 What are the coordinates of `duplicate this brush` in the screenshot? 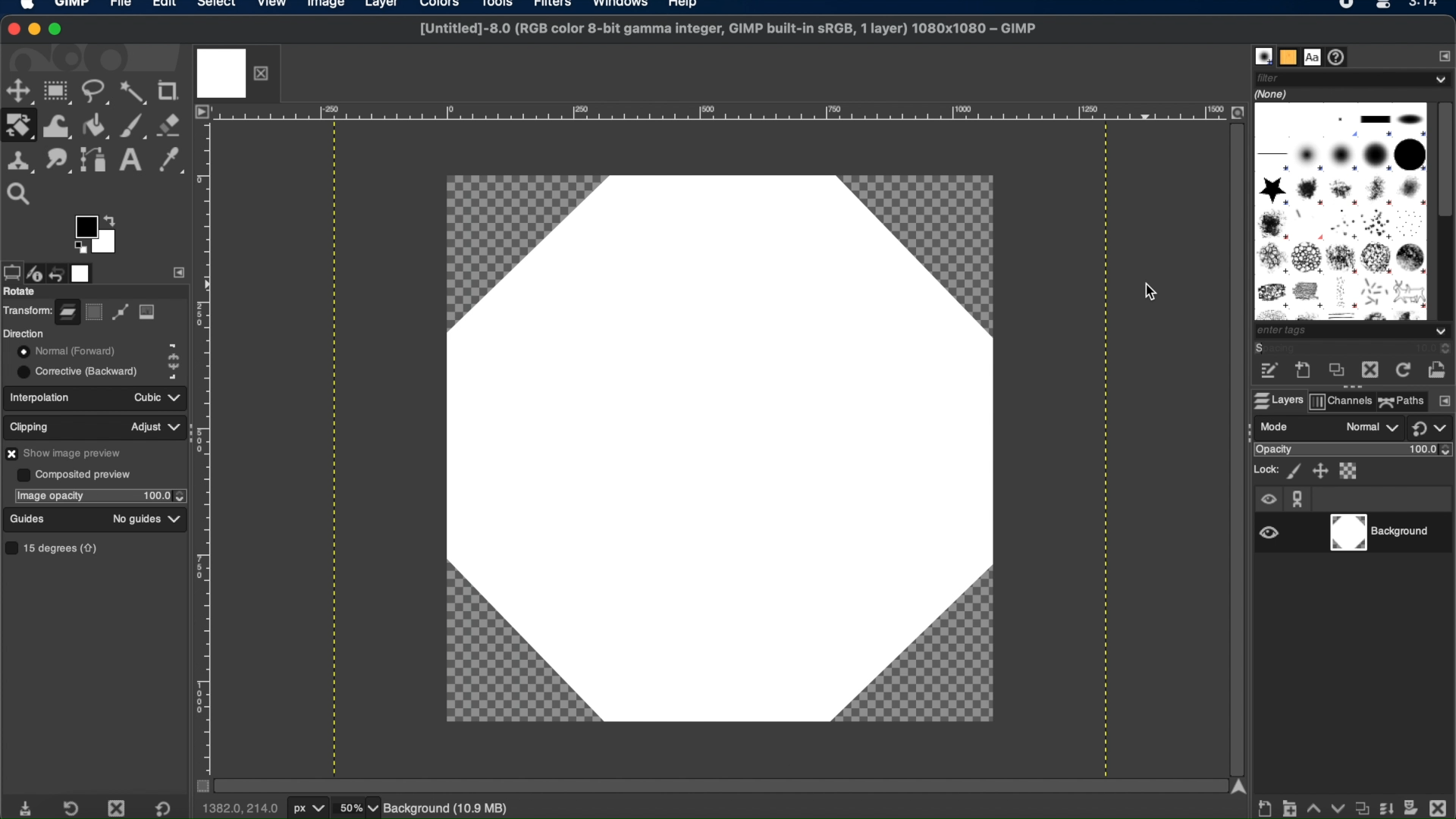 It's located at (1334, 372).